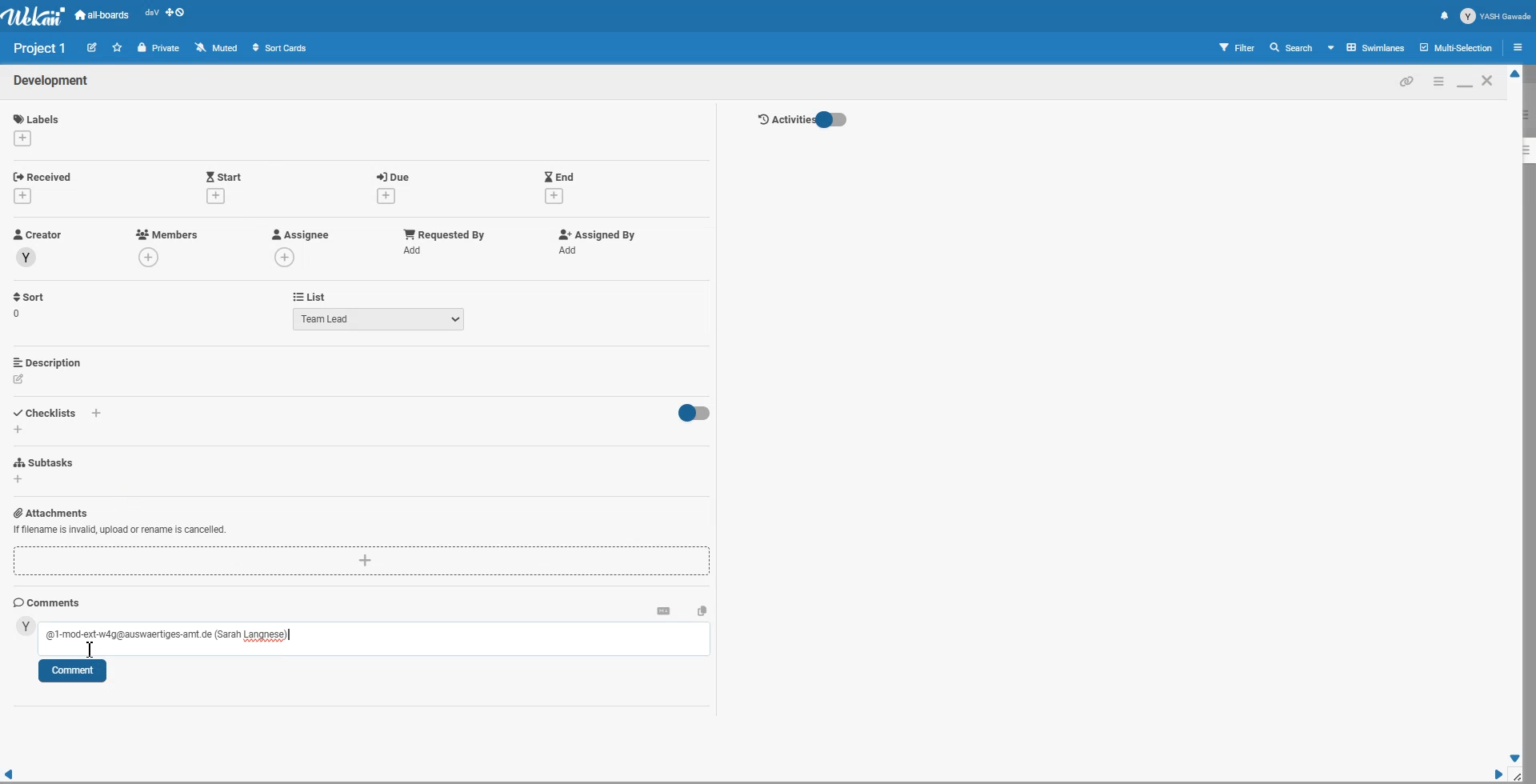 Image resolution: width=1536 pixels, height=784 pixels. Describe the element at coordinates (416, 250) in the screenshot. I see `add` at that location.